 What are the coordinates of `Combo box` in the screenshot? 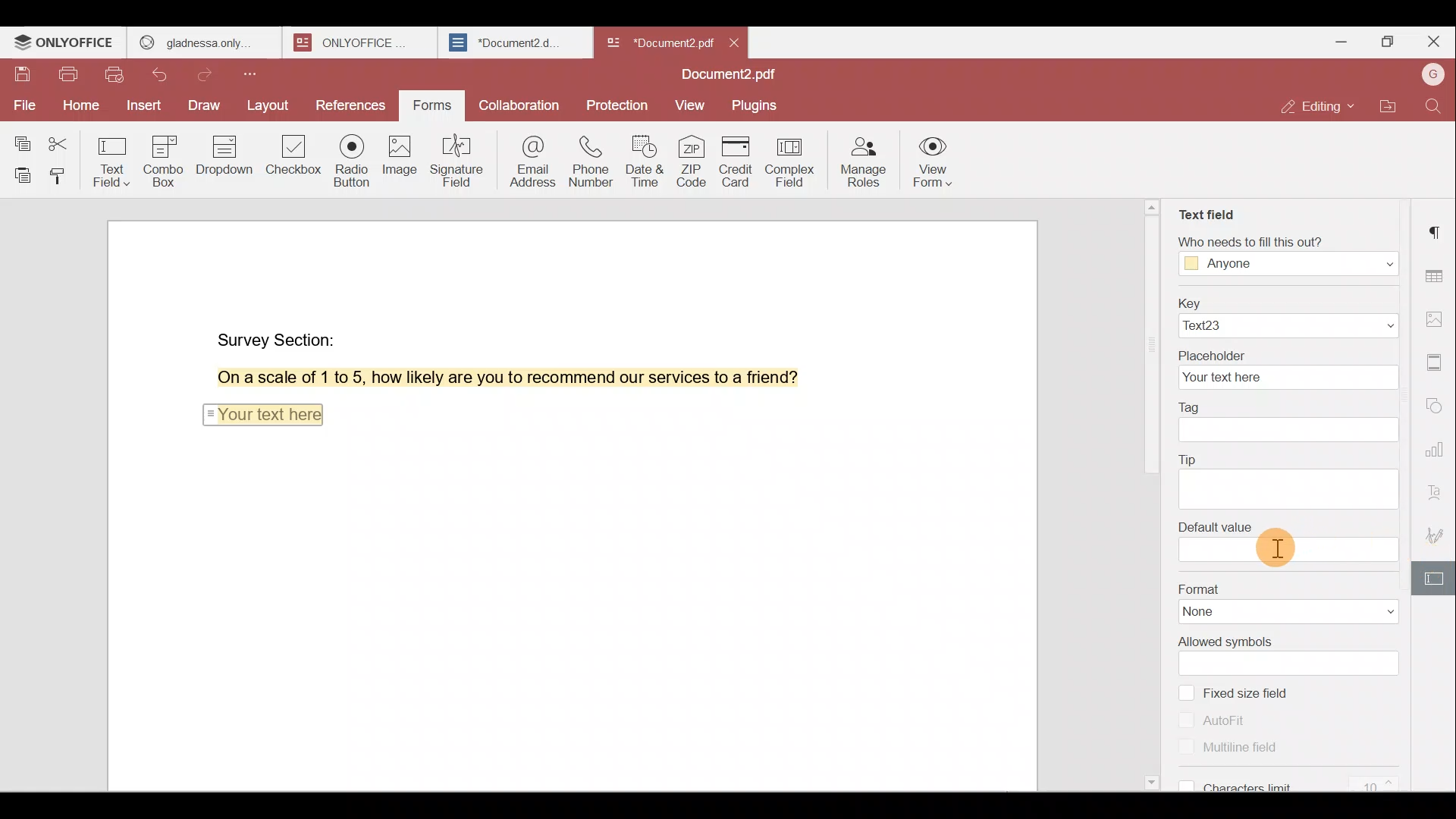 It's located at (169, 158).